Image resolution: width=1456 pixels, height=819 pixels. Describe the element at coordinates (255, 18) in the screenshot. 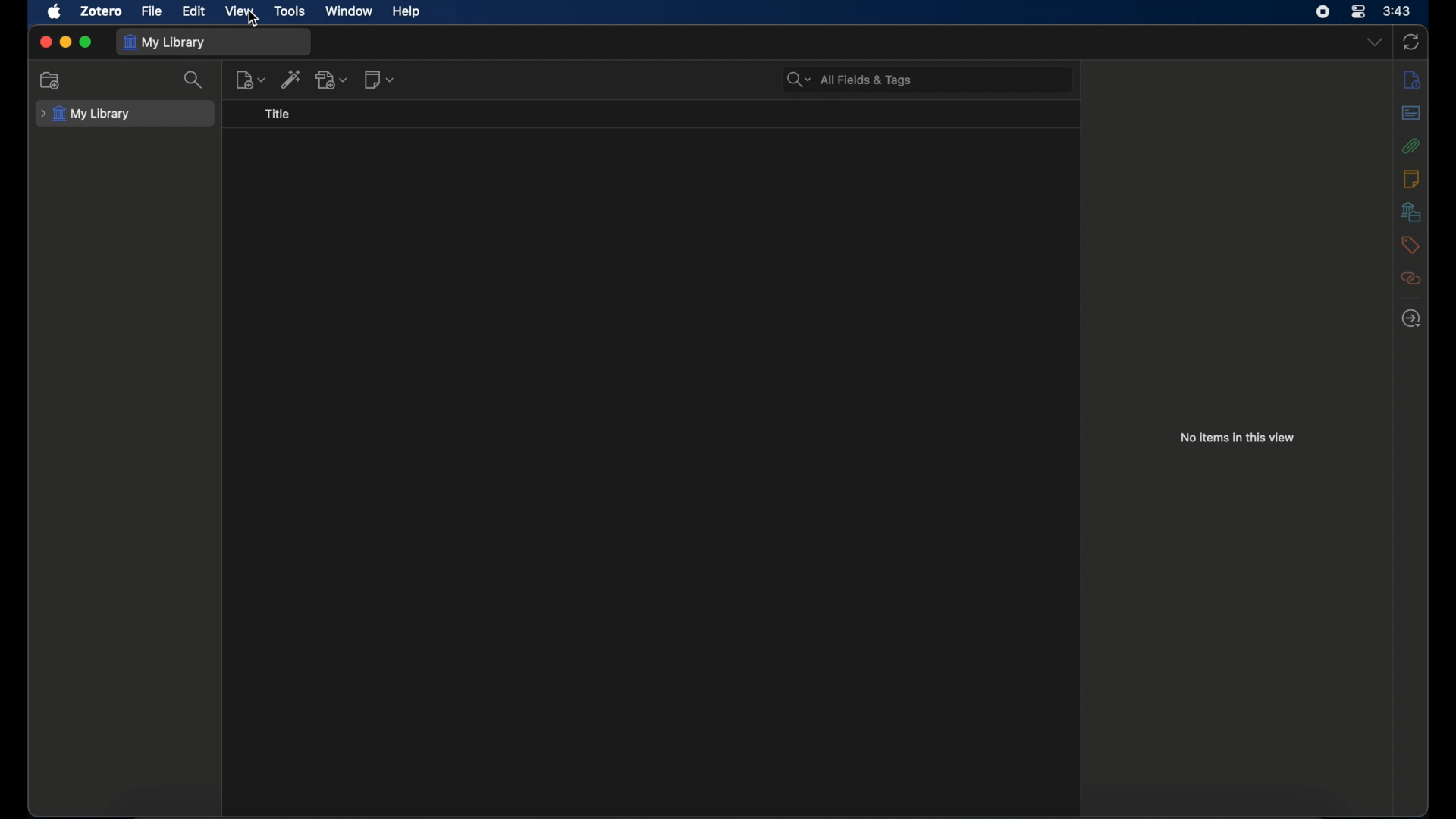

I see `cursor` at that location.